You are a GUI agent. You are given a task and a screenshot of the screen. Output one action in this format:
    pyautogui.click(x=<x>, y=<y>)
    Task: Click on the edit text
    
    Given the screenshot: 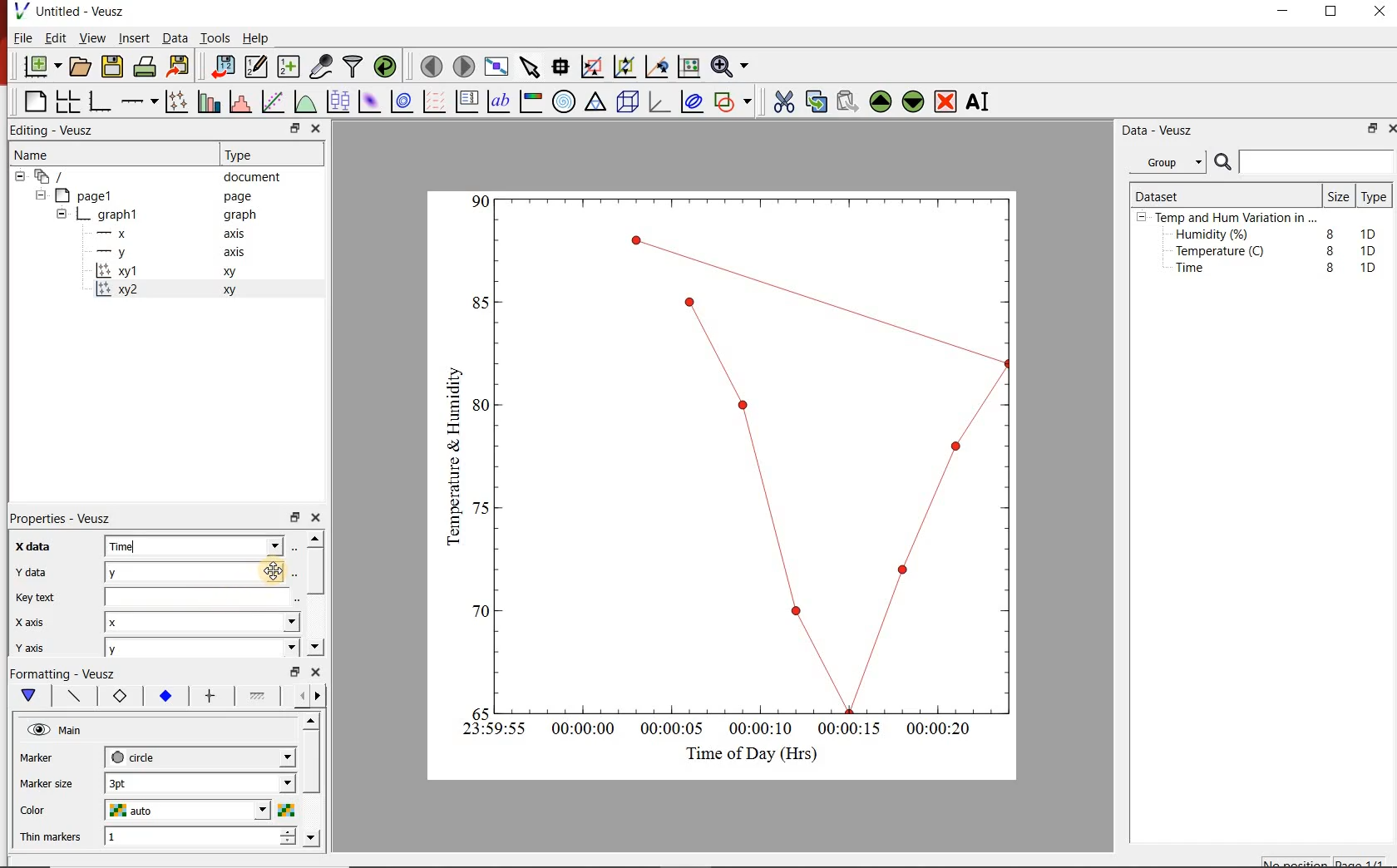 What is the action you would take?
    pyautogui.click(x=292, y=599)
    